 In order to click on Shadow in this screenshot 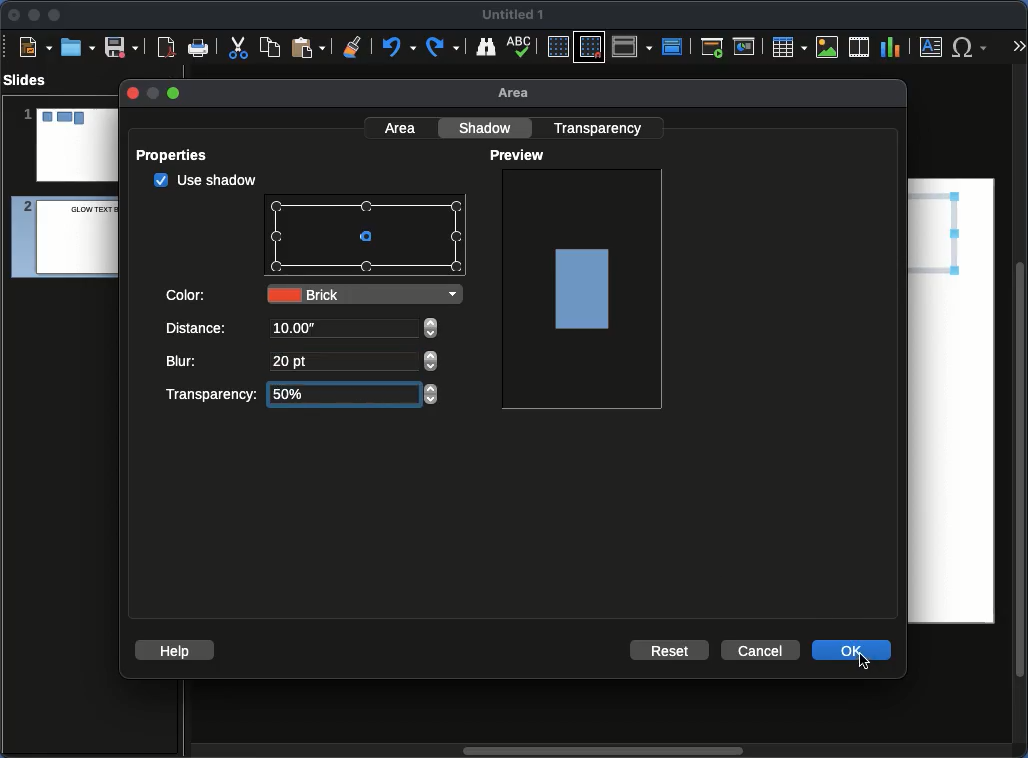, I will do `click(488, 127)`.